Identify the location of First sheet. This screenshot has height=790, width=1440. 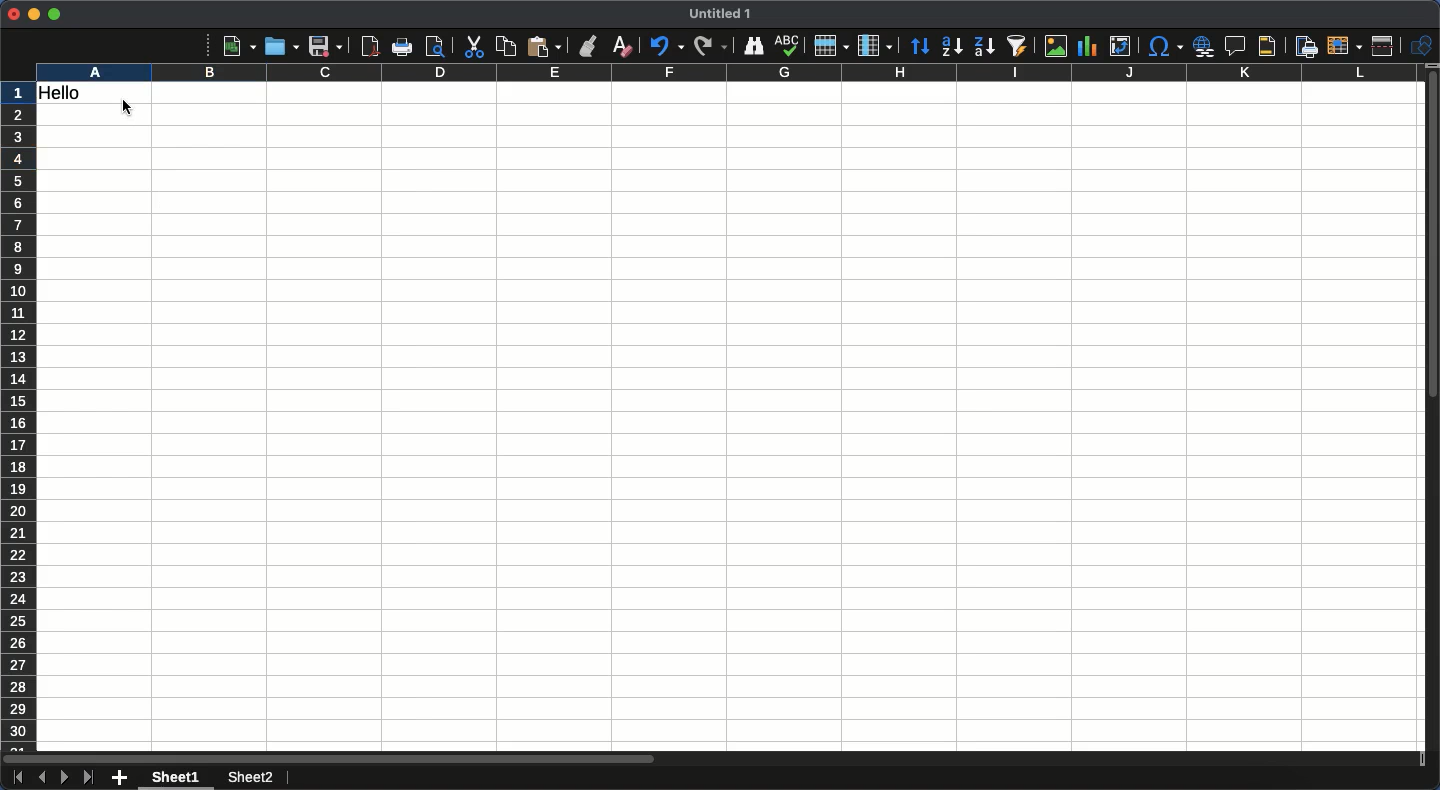
(16, 778).